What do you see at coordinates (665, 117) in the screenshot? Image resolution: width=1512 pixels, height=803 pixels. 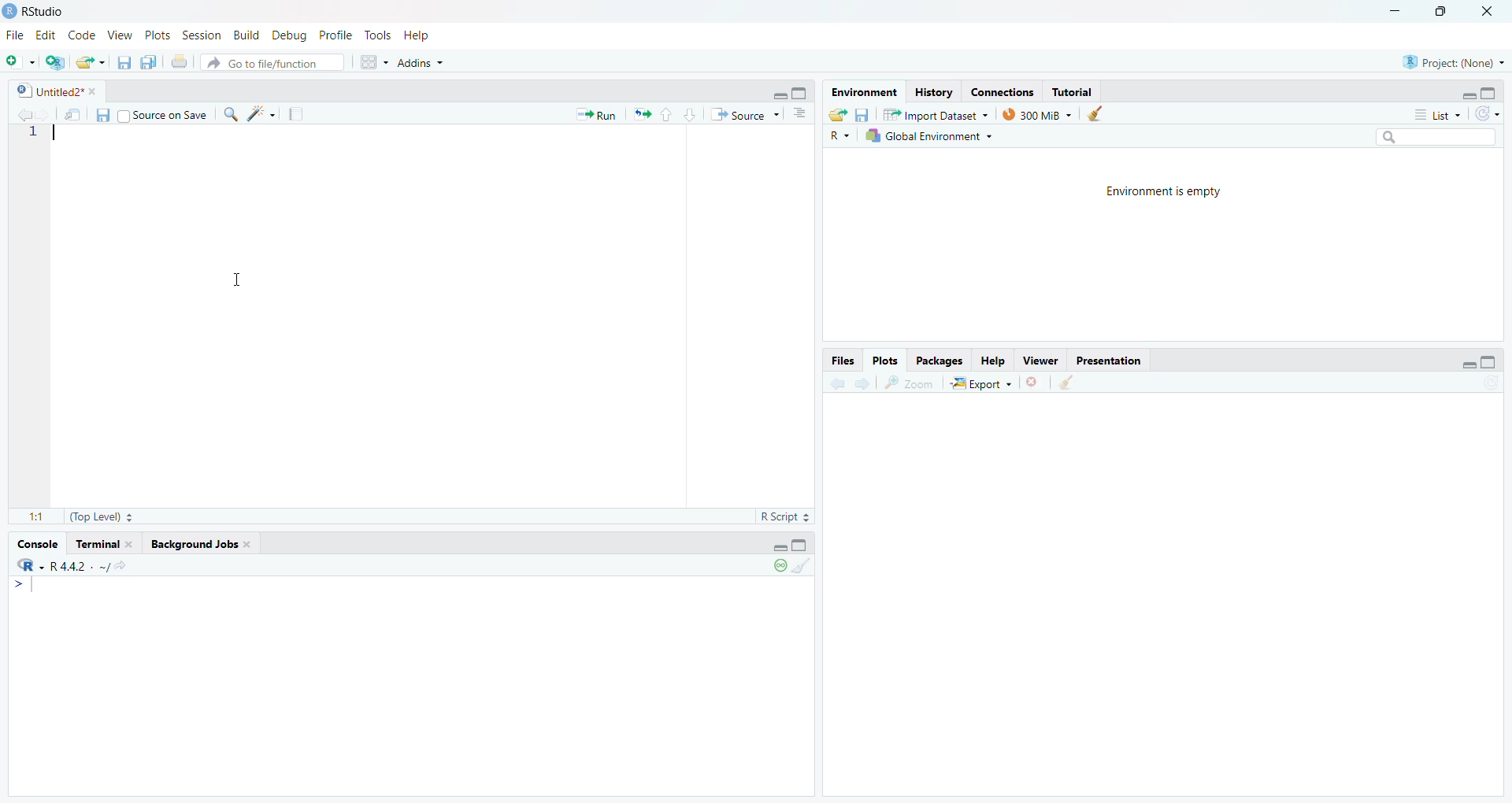 I see `go to previous section/chunk` at bounding box center [665, 117].